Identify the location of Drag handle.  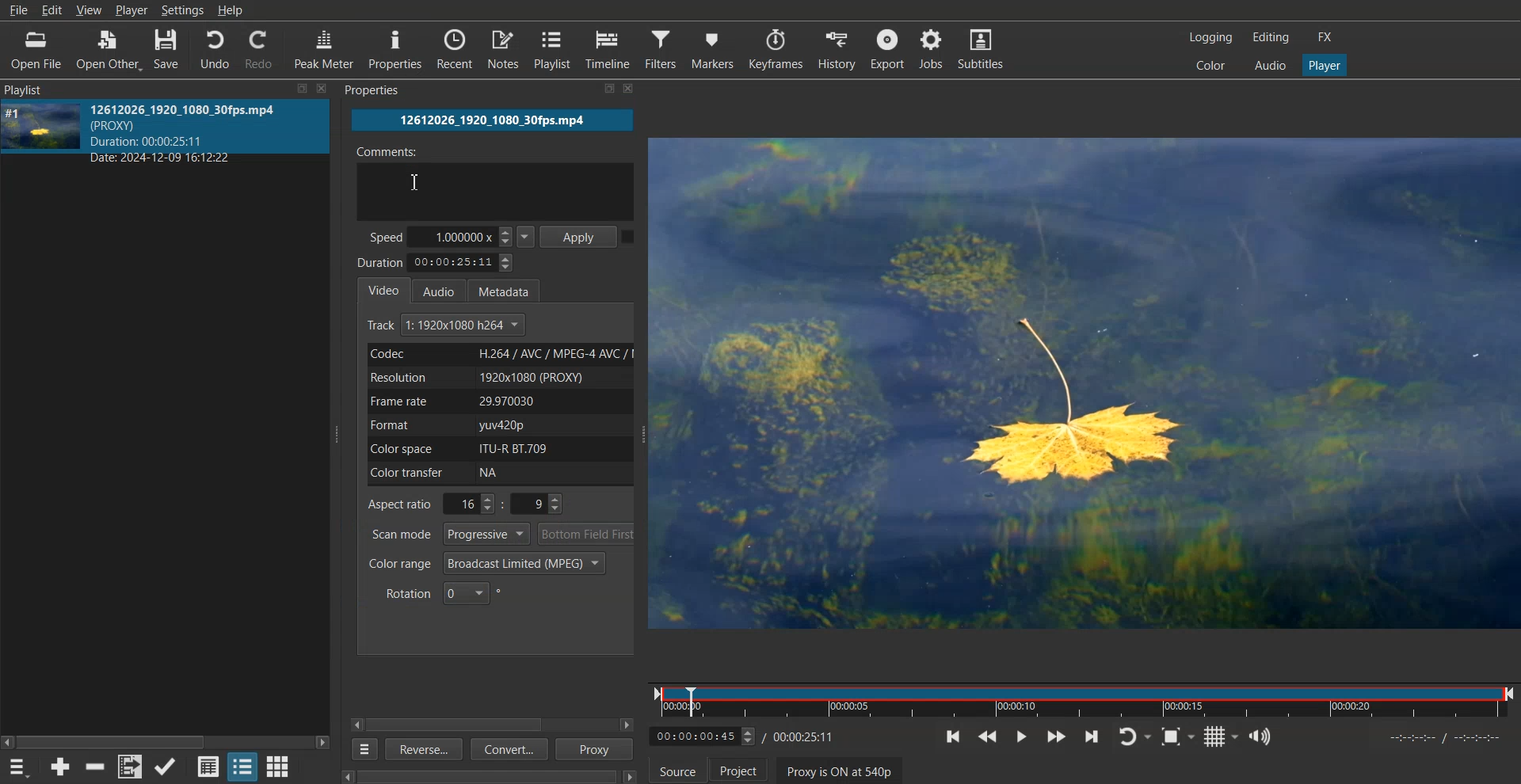
(646, 436).